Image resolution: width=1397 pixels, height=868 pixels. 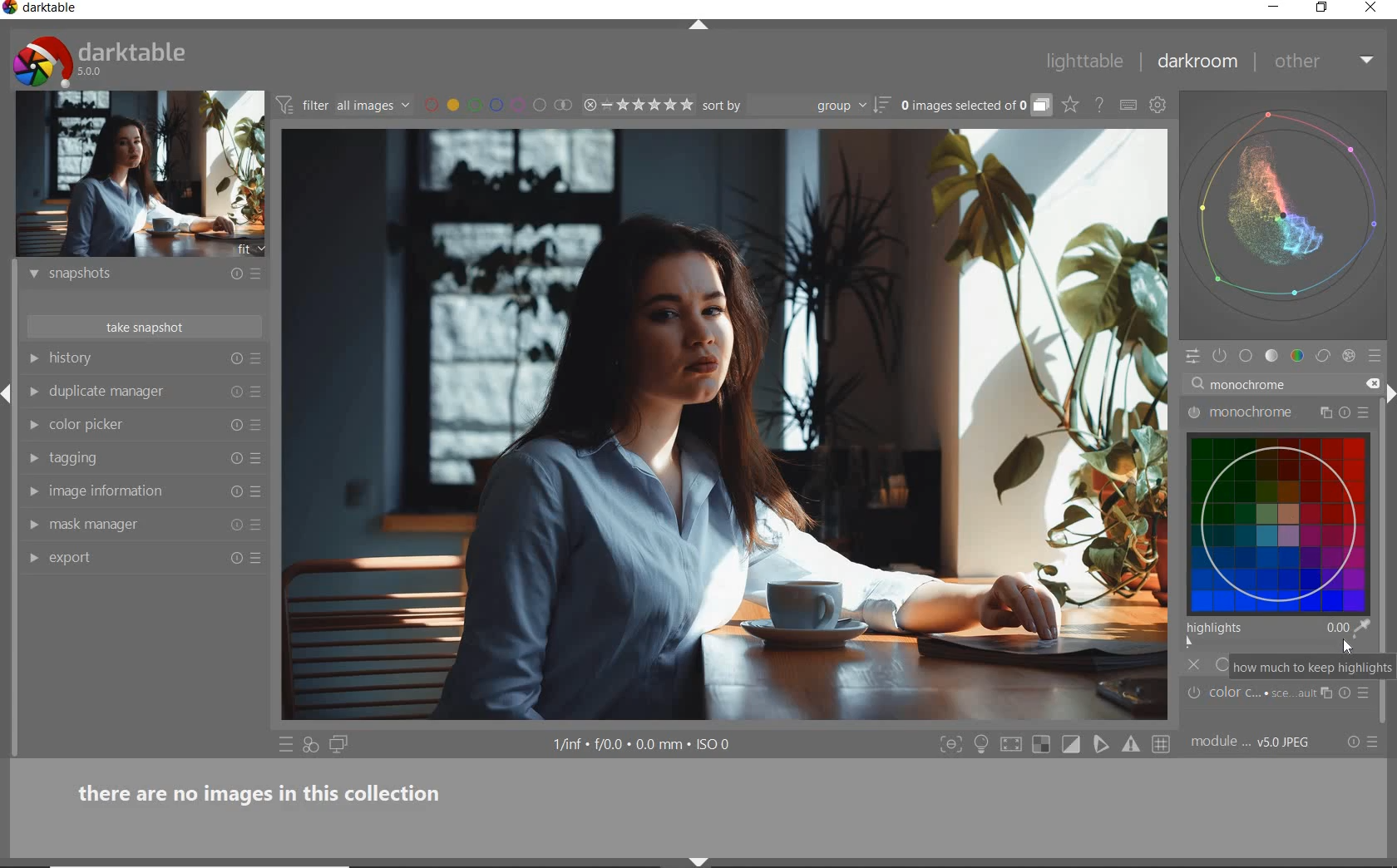 What do you see at coordinates (637, 106) in the screenshot?
I see `range rating of selected image` at bounding box center [637, 106].